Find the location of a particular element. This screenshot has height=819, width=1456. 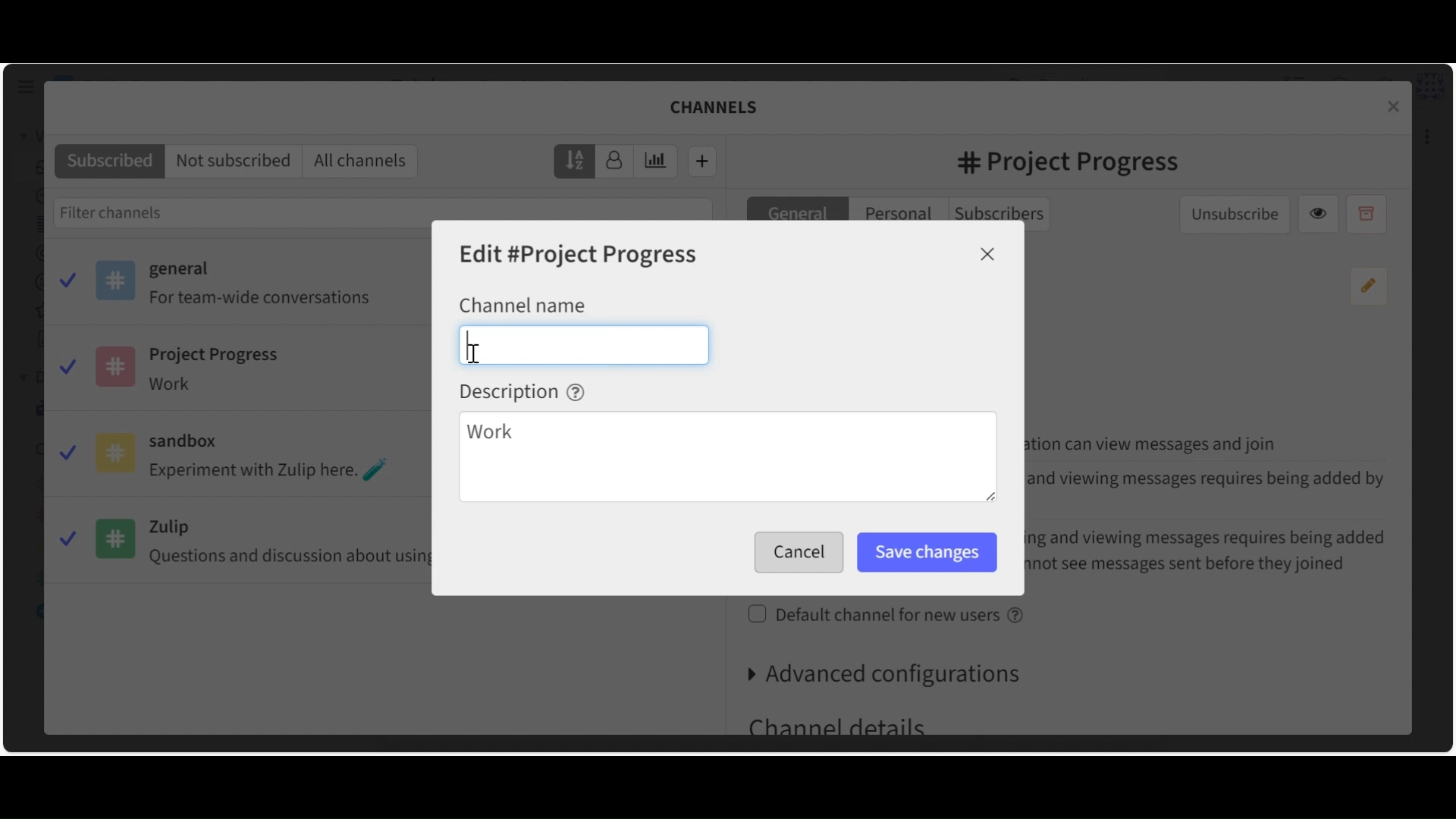

Close is located at coordinates (988, 254).